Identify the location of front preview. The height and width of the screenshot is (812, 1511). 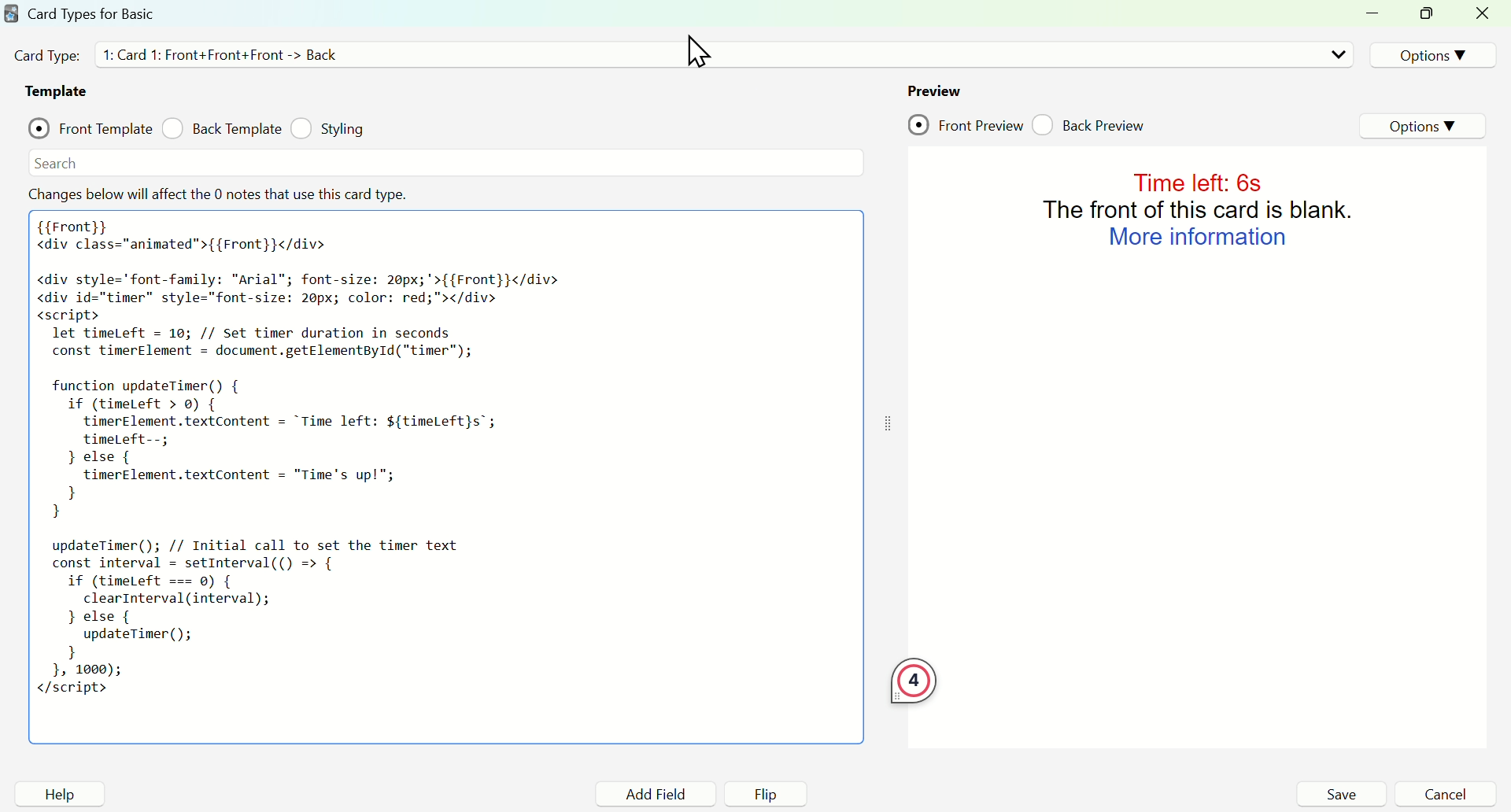
(966, 126).